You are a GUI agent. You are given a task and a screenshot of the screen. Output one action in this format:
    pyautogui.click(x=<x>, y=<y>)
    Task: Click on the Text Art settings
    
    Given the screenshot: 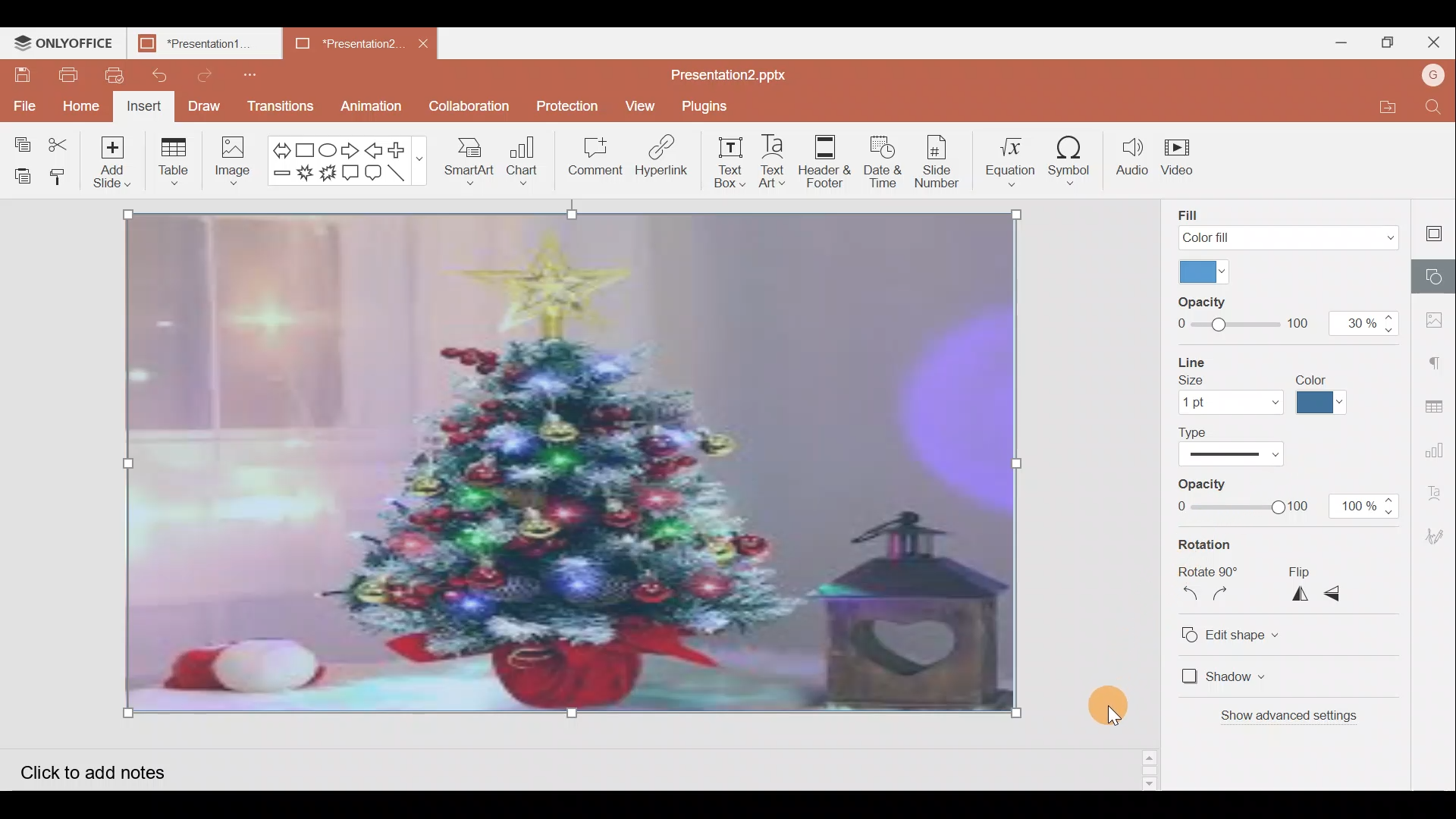 What is the action you would take?
    pyautogui.click(x=1441, y=490)
    